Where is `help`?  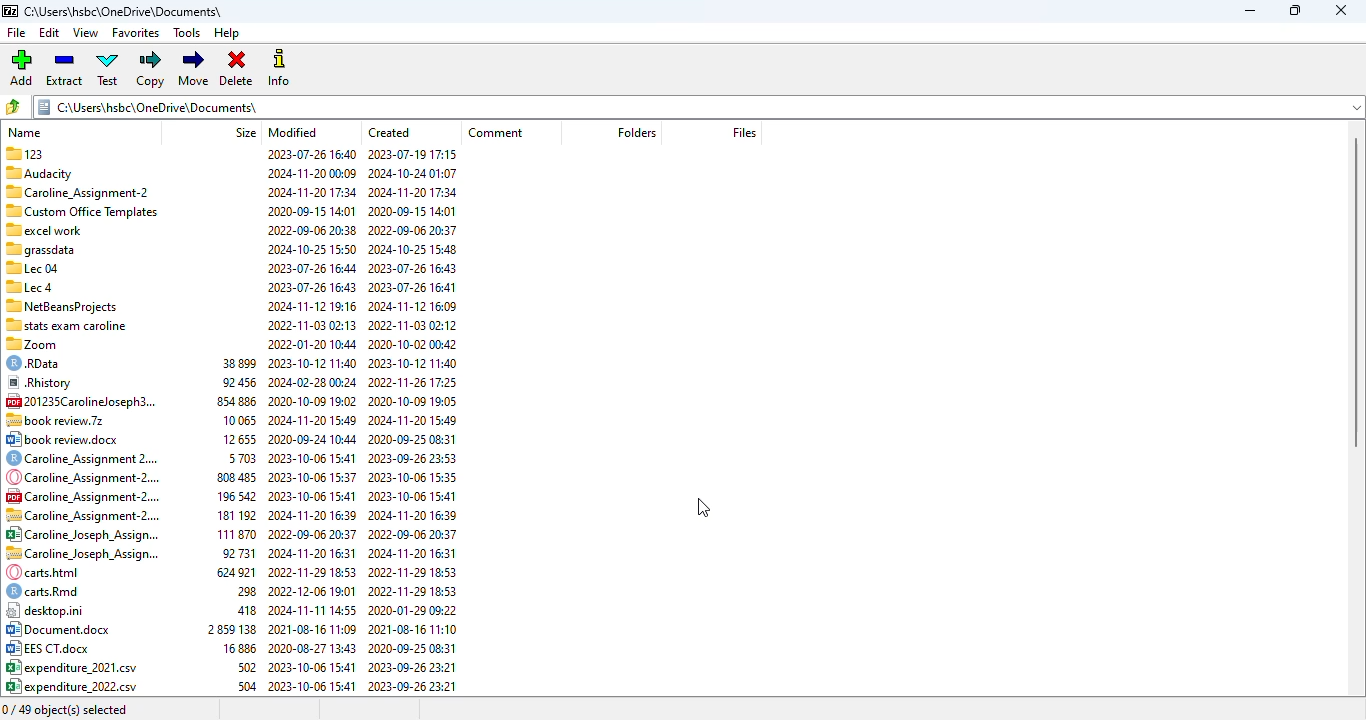
help is located at coordinates (228, 34).